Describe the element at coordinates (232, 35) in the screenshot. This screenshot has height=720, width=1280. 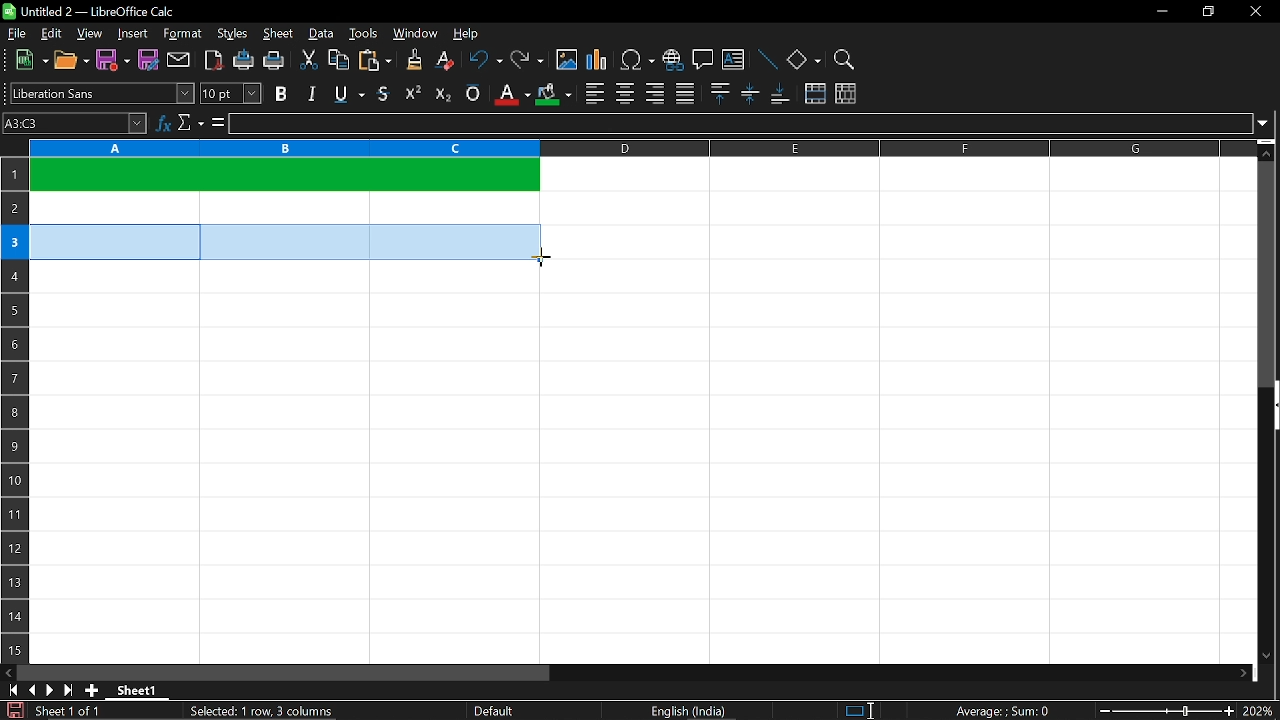
I see `styles` at that location.